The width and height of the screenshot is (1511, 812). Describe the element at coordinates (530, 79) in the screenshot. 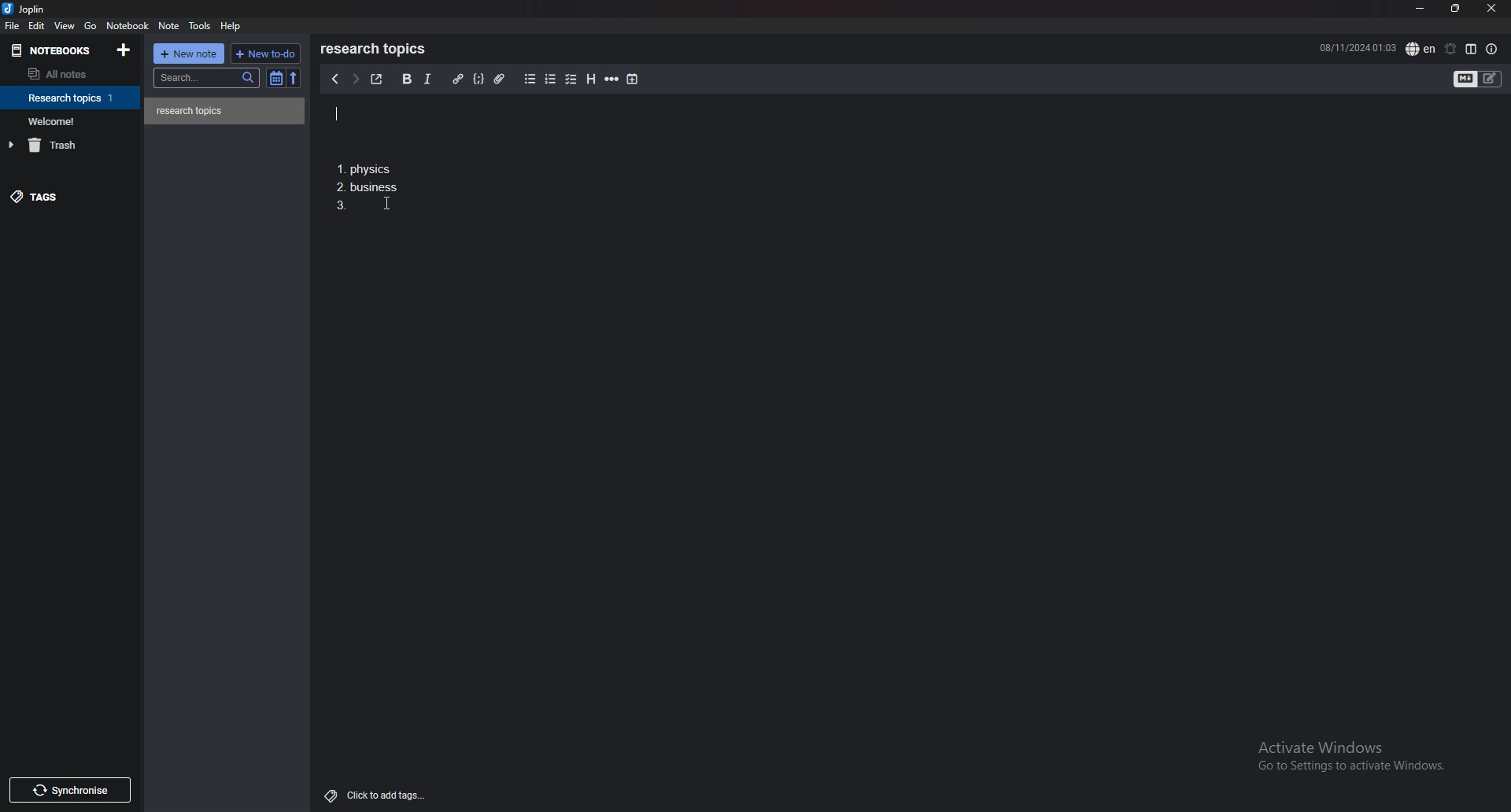

I see `bullet list` at that location.